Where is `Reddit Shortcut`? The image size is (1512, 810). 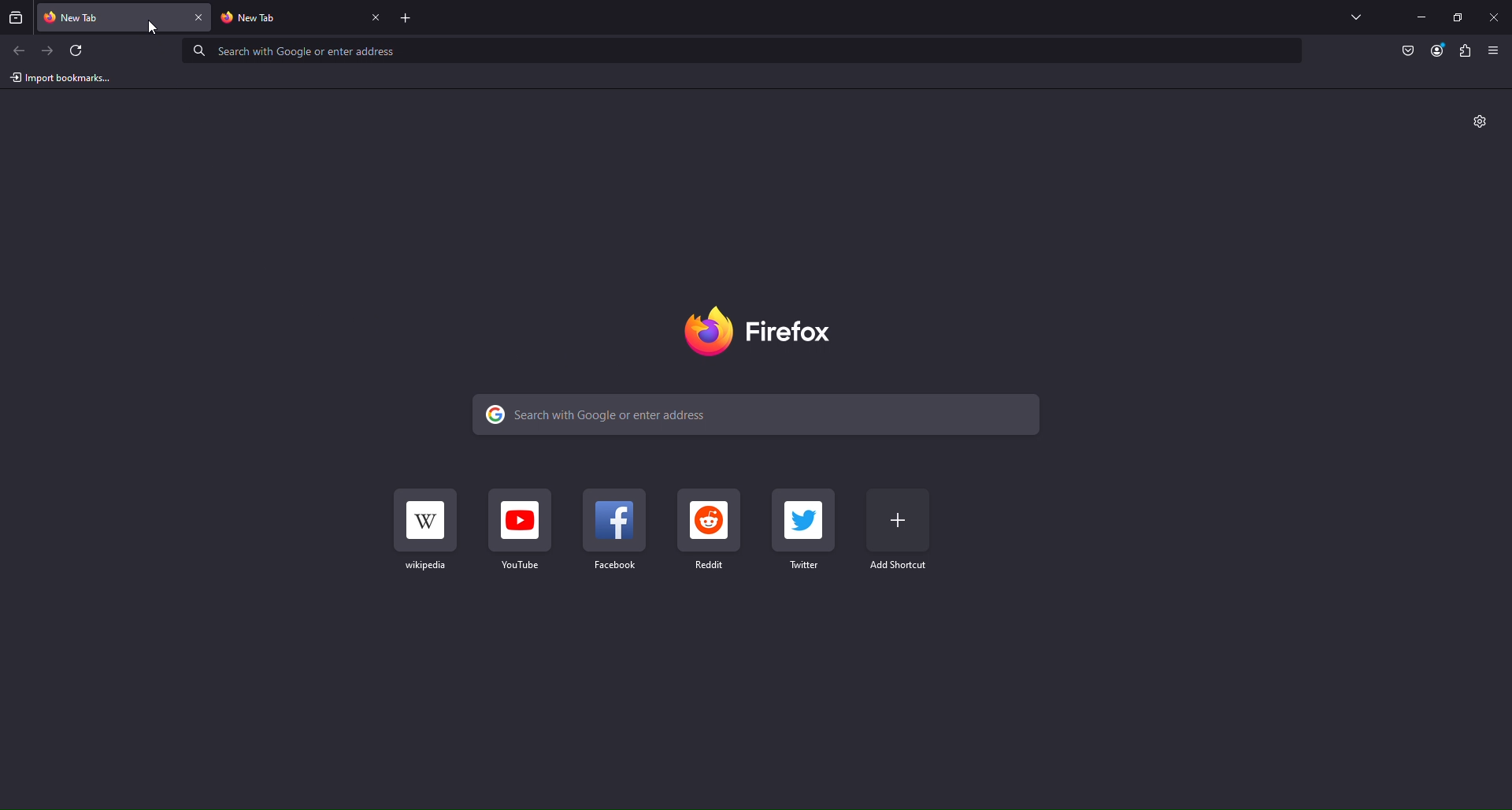 Reddit Shortcut is located at coordinates (710, 529).